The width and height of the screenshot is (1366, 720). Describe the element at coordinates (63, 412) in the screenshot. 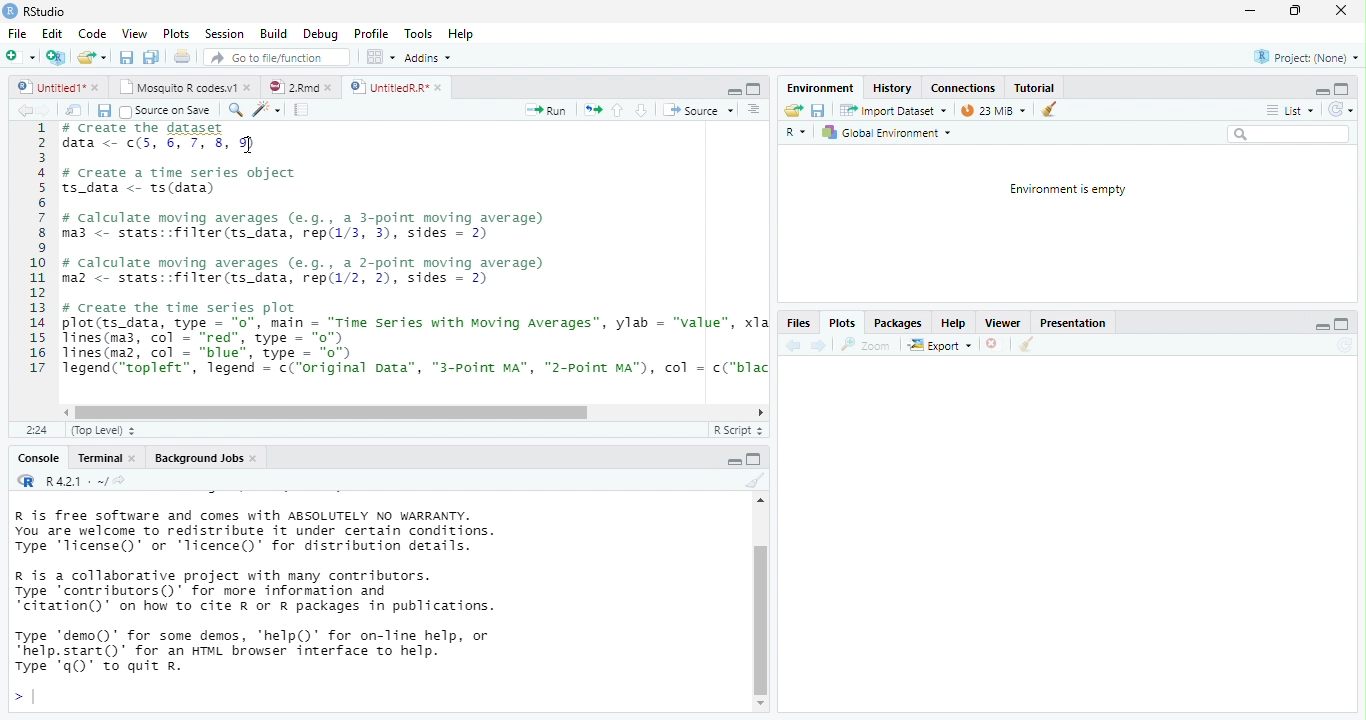

I see `scrollbar left` at that location.